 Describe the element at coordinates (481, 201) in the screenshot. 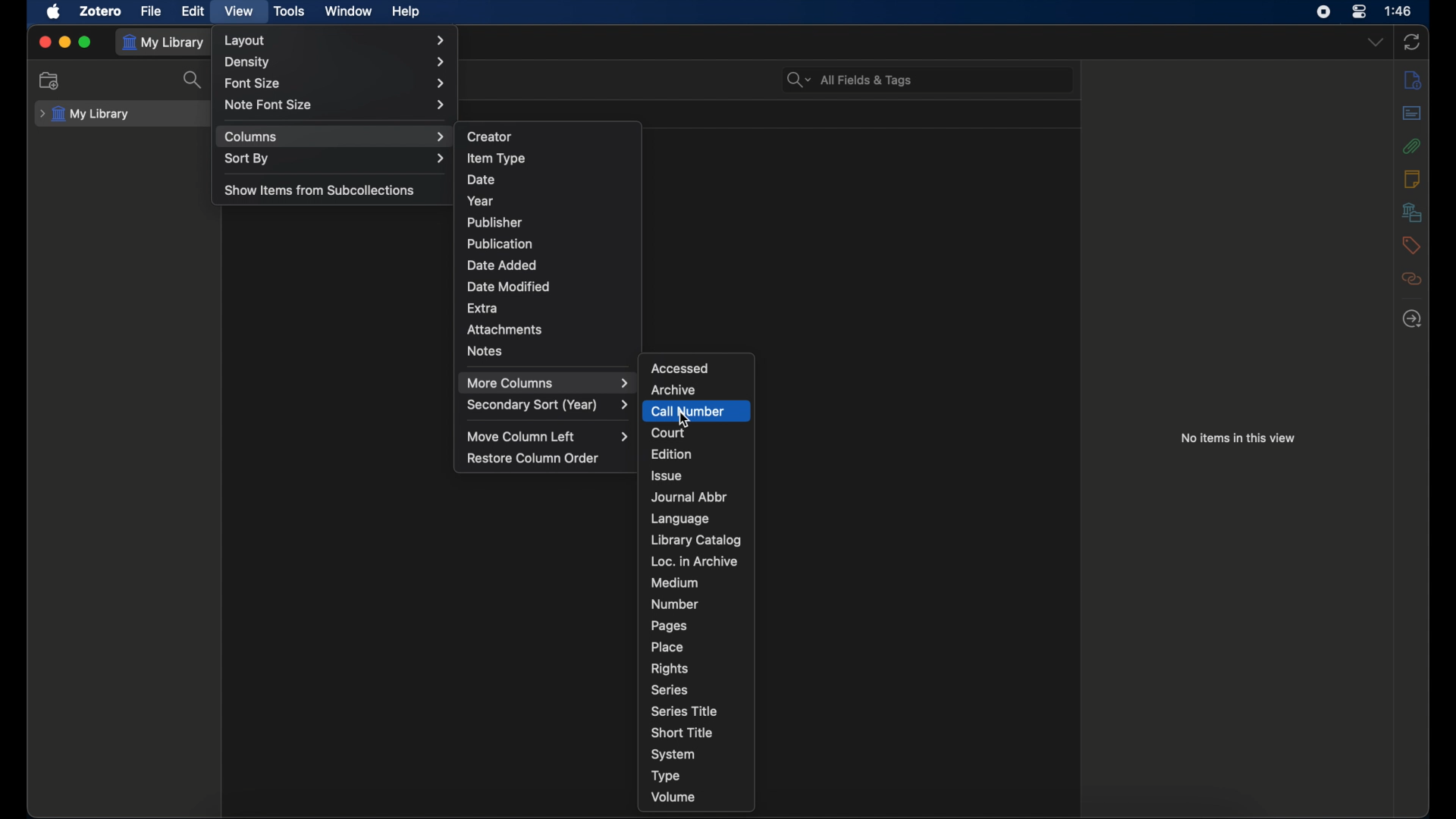

I see `year` at that location.